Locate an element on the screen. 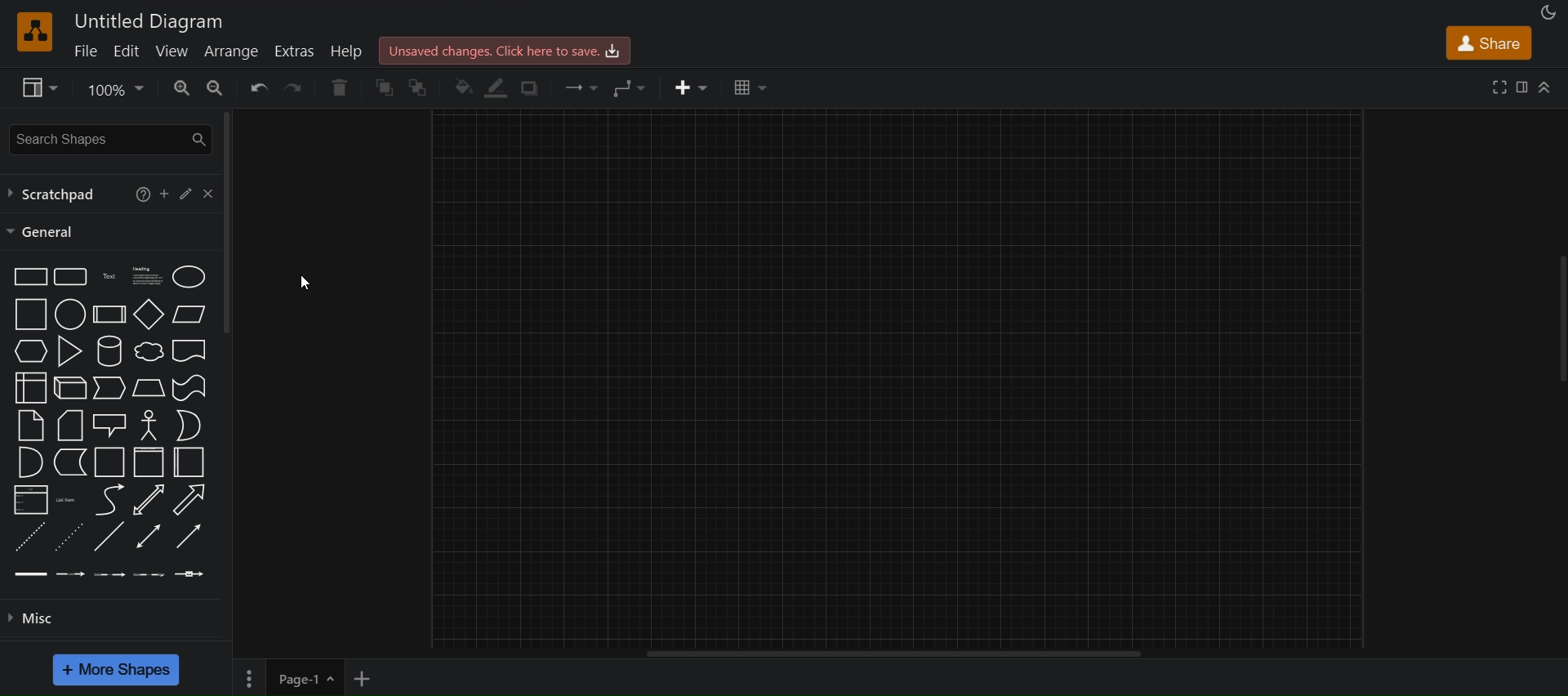 The width and height of the screenshot is (1568, 696). click here to save is located at coordinates (501, 51).